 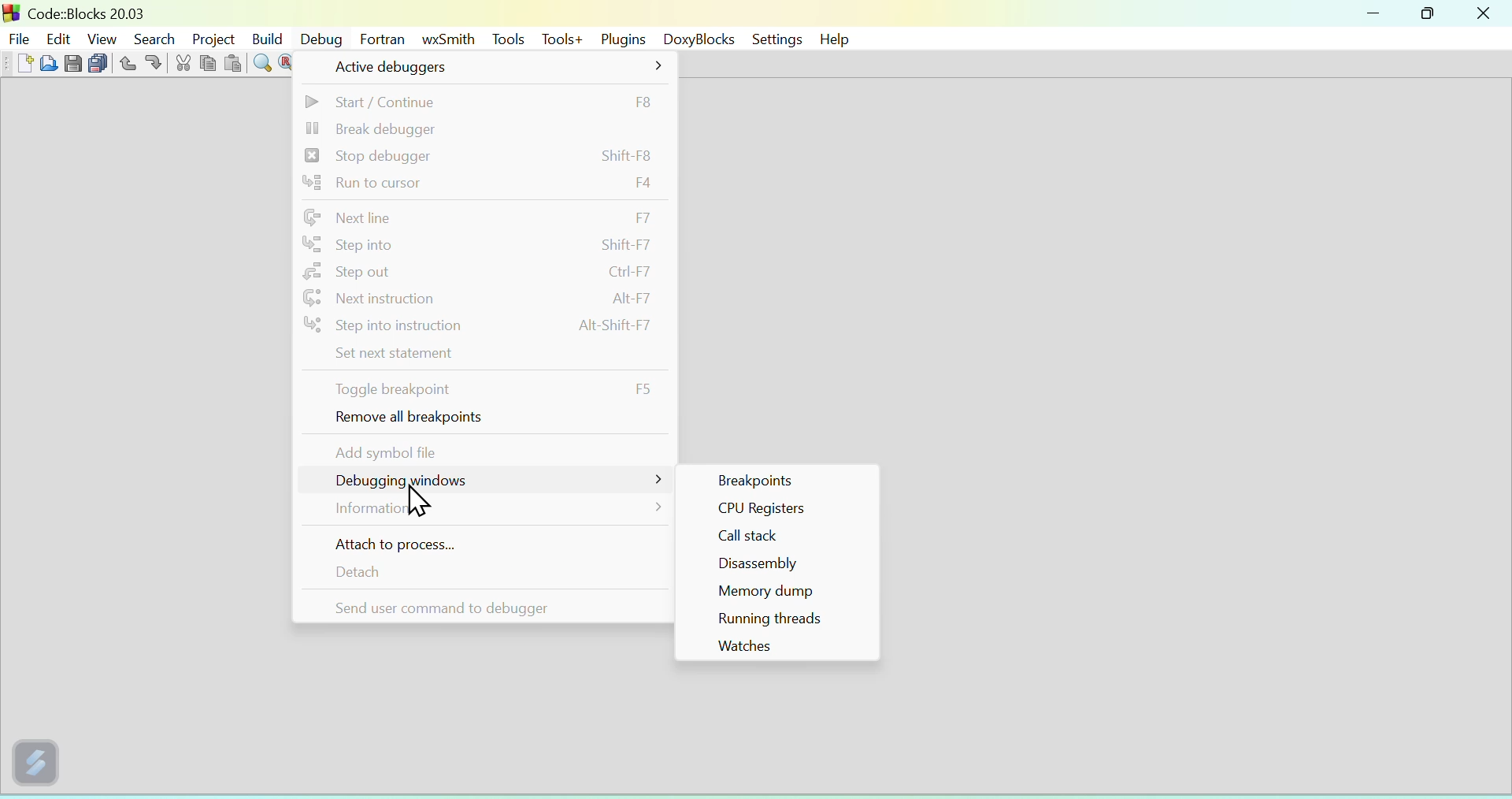 What do you see at coordinates (480, 155) in the screenshot?
I see `stop debugger` at bounding box center [480, 155].